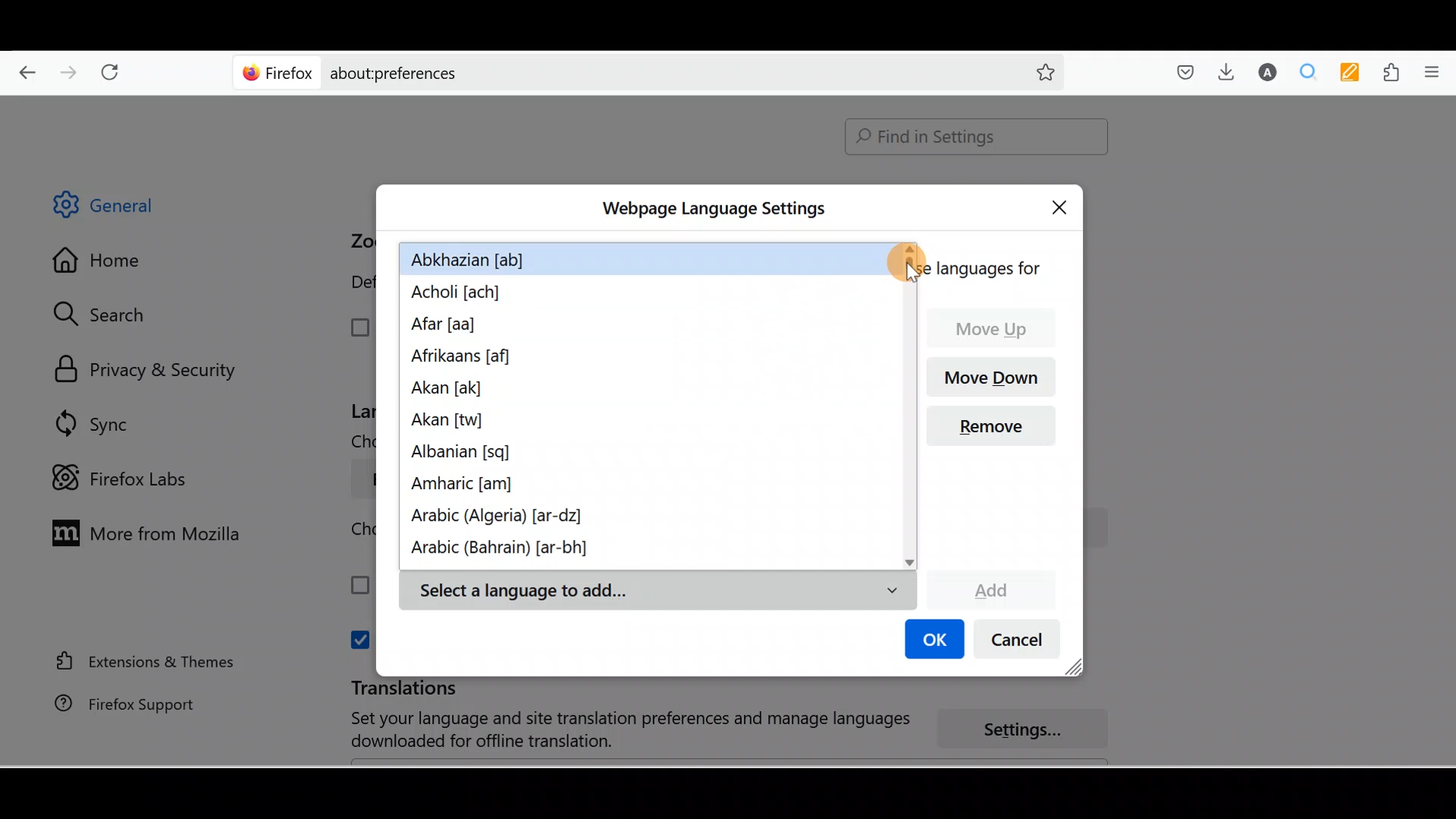 Image resolution: width=1456 pixels, height=819 pixels. Describe the element at coordinates (1222, 71) in the screenshot. I see `Downloads` at that location.